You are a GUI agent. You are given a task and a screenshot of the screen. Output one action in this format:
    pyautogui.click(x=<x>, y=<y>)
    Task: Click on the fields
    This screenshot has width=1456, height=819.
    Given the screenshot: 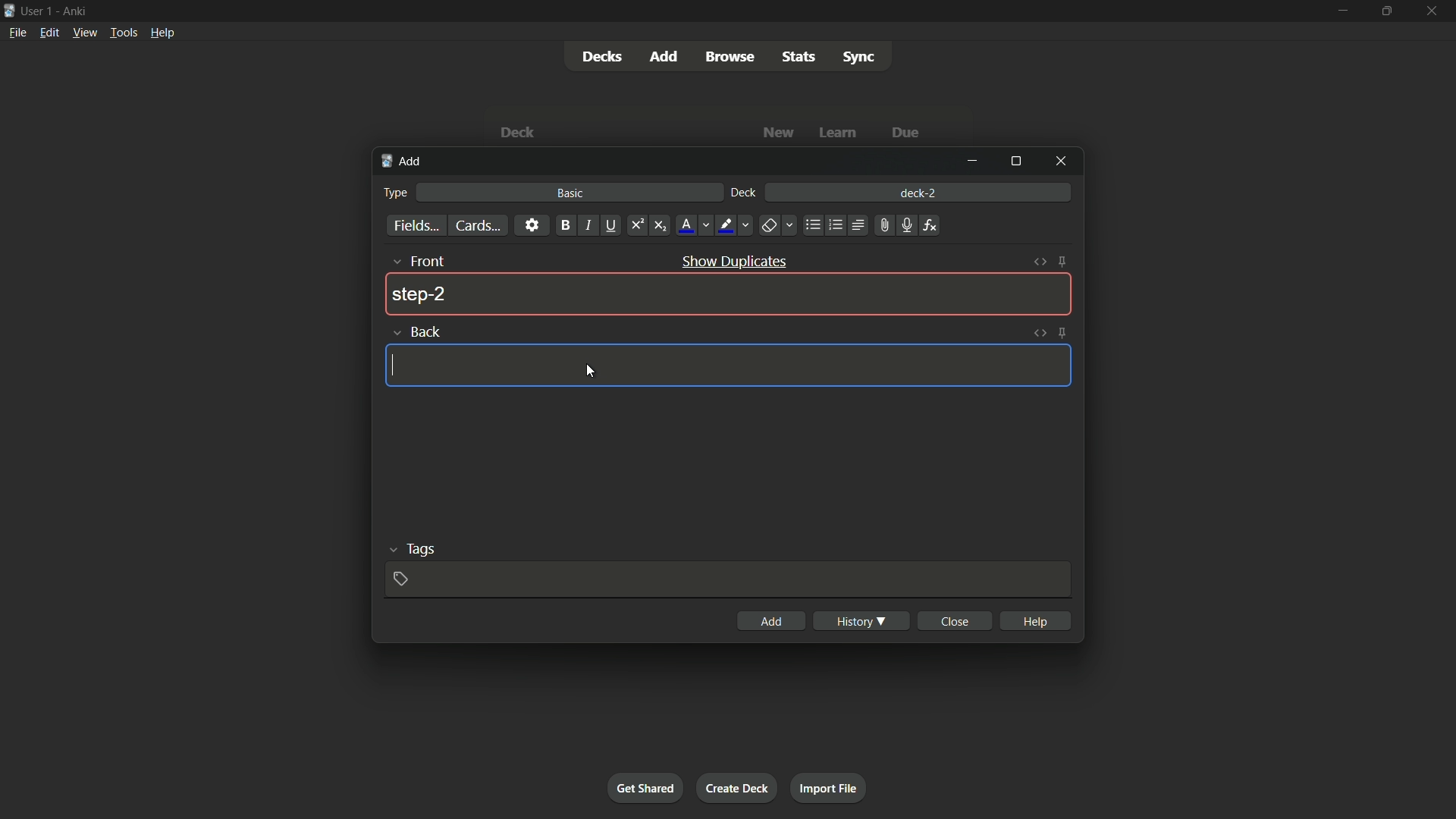 What is the action you would take?
    pyautogui.click(x=417, y=226)
    